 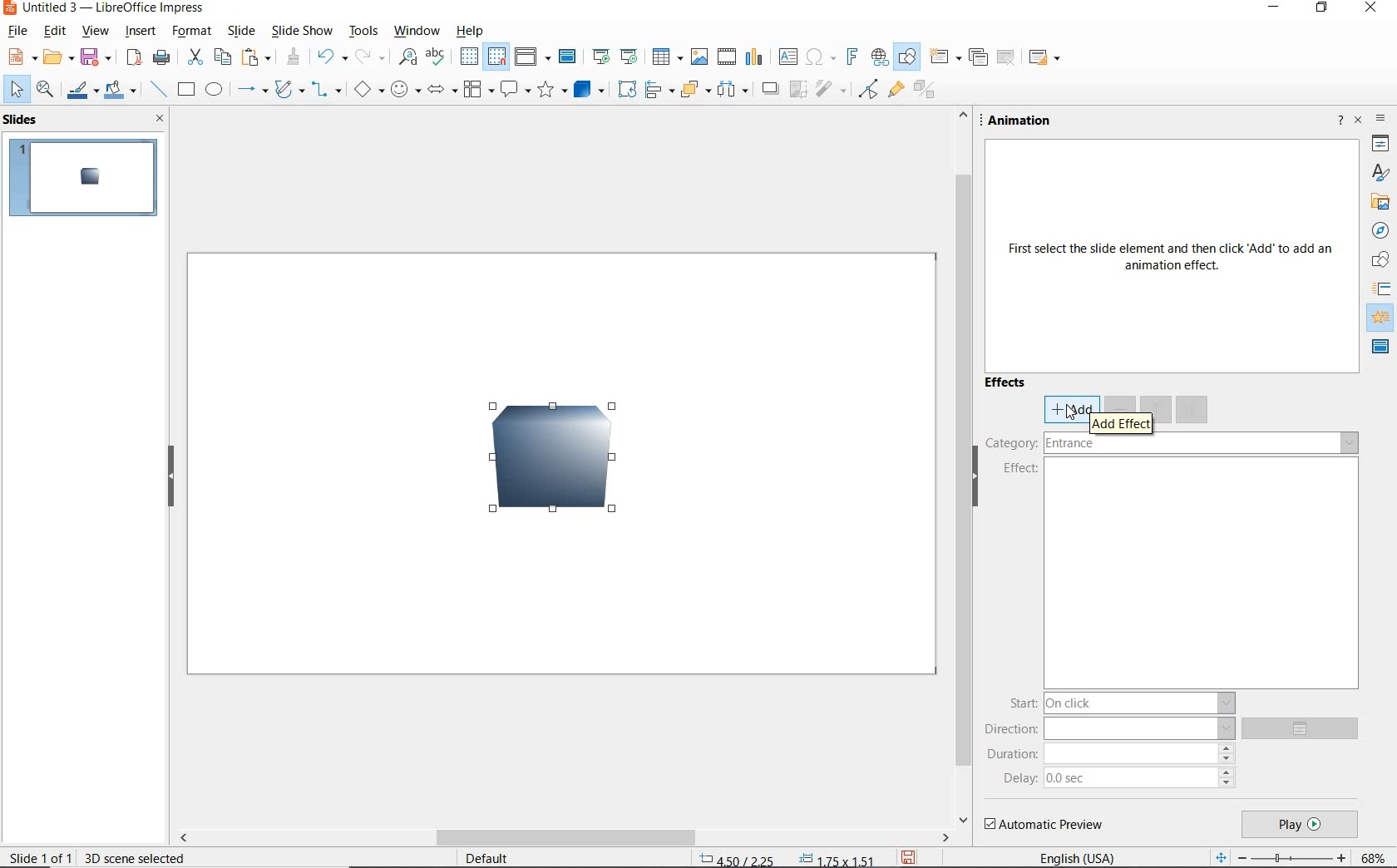 What do you see at coordinates (600, 56) in the screenshot?
I see `start from previous slide` at bounding box center [600, 56].